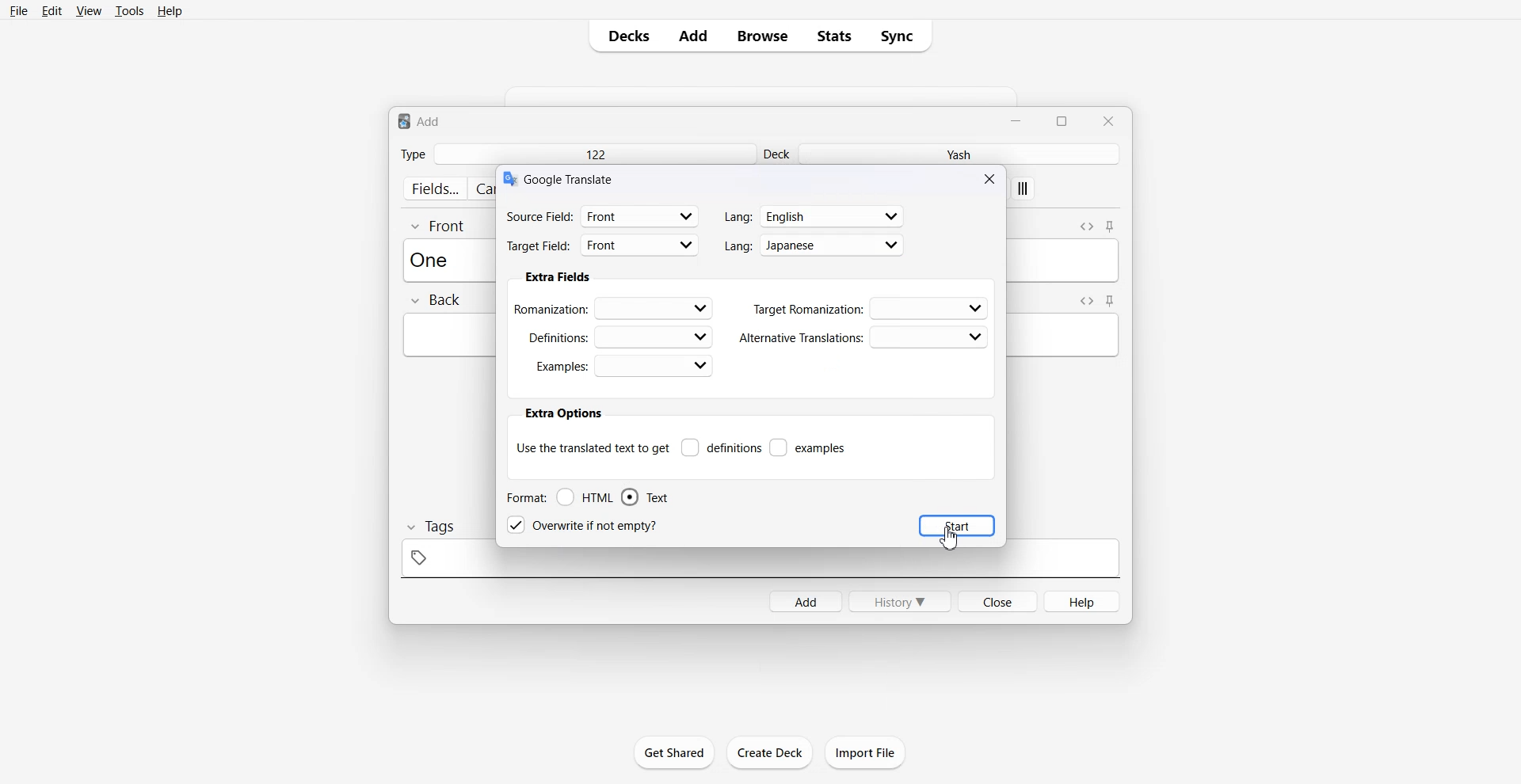 The width and height of the screenshot is (1521, 784). Describe the element at coordinates (779, 154) in the screenshot. I see `Deck` at that location.